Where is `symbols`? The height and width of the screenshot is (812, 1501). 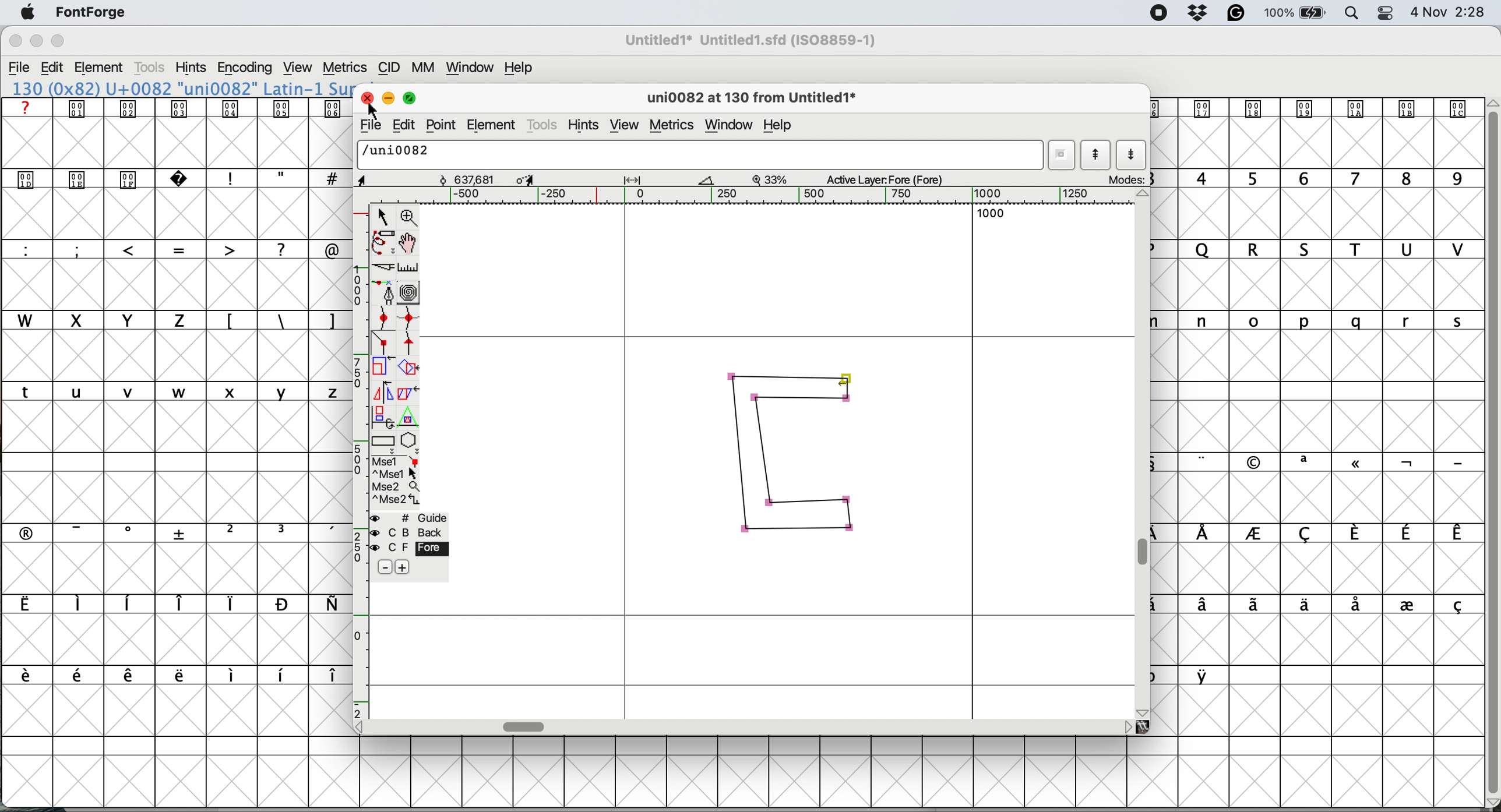
symbols is located at coordinates (181, 676).